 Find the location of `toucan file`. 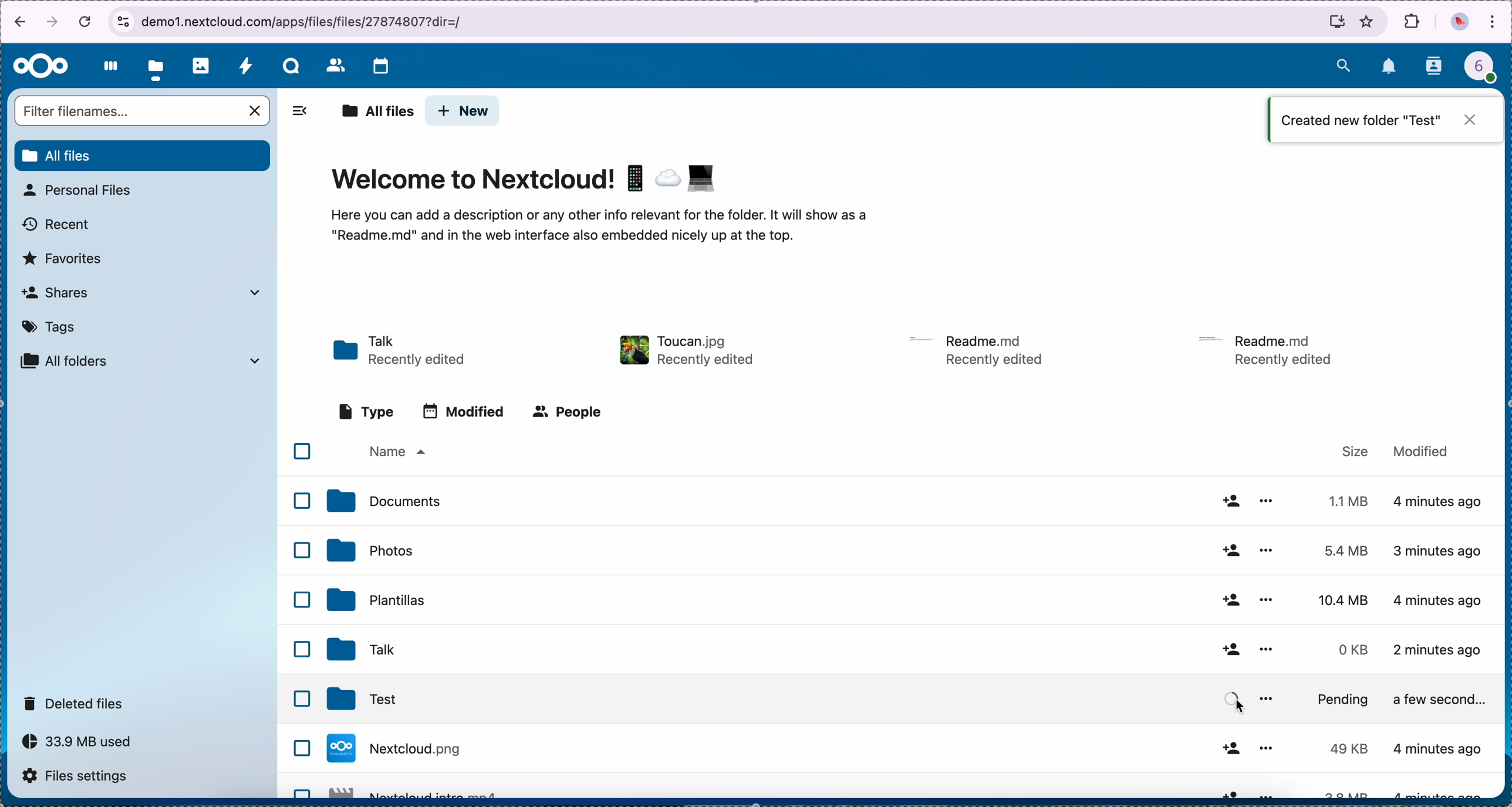

toucan file is located at coordinates (683, 350).